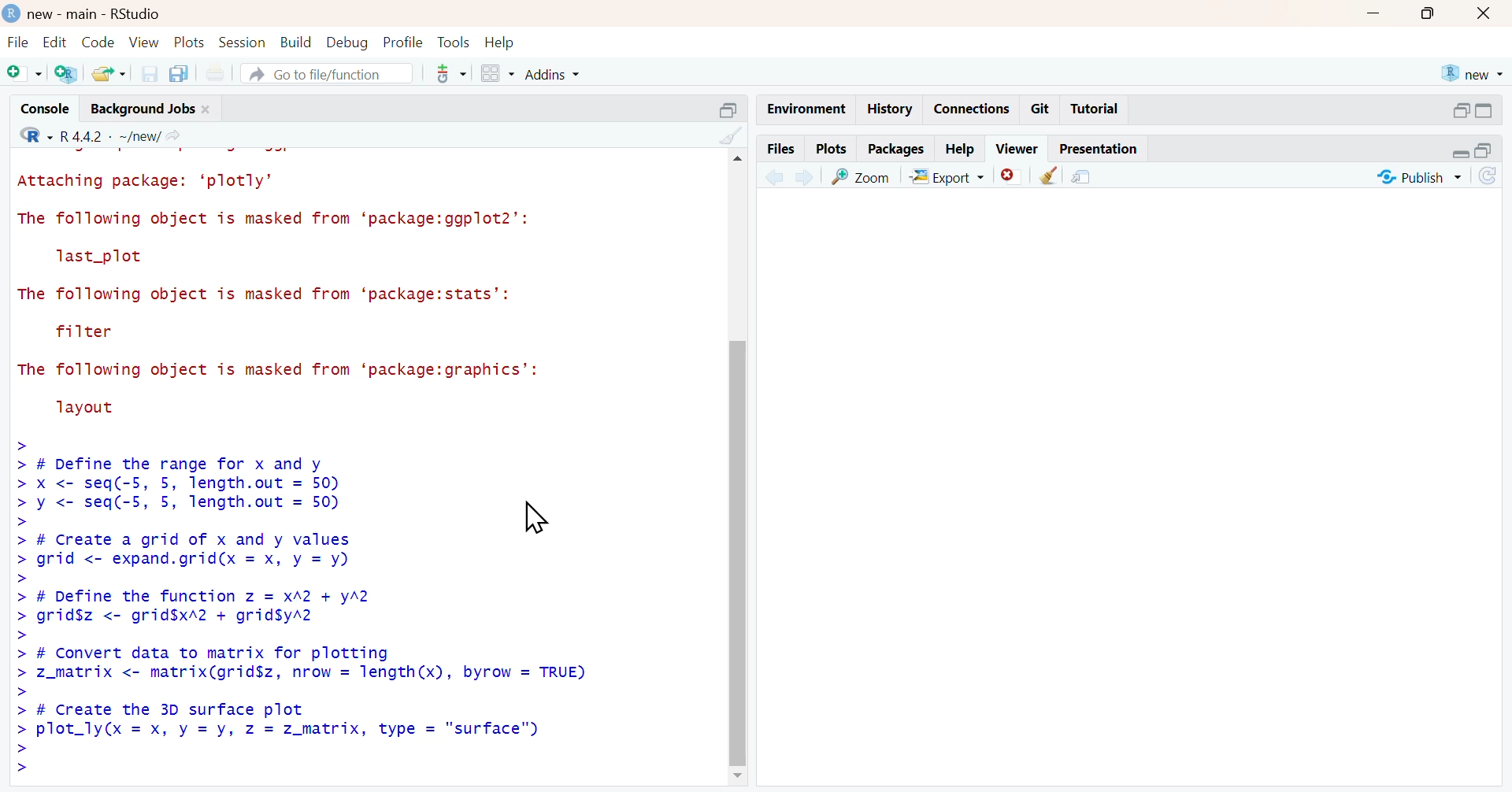  I want to click on edit, so click(51, 42).